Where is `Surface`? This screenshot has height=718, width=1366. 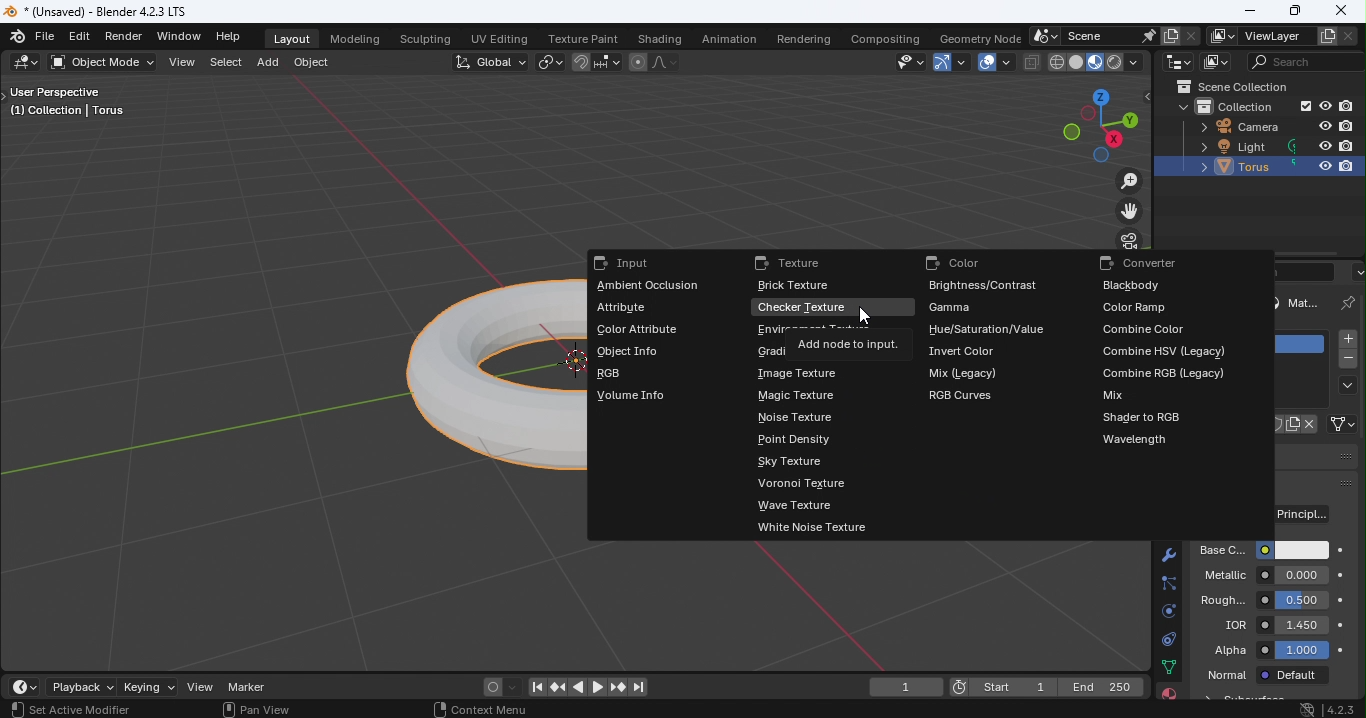 Surface is located at coordinates (1300, 513).